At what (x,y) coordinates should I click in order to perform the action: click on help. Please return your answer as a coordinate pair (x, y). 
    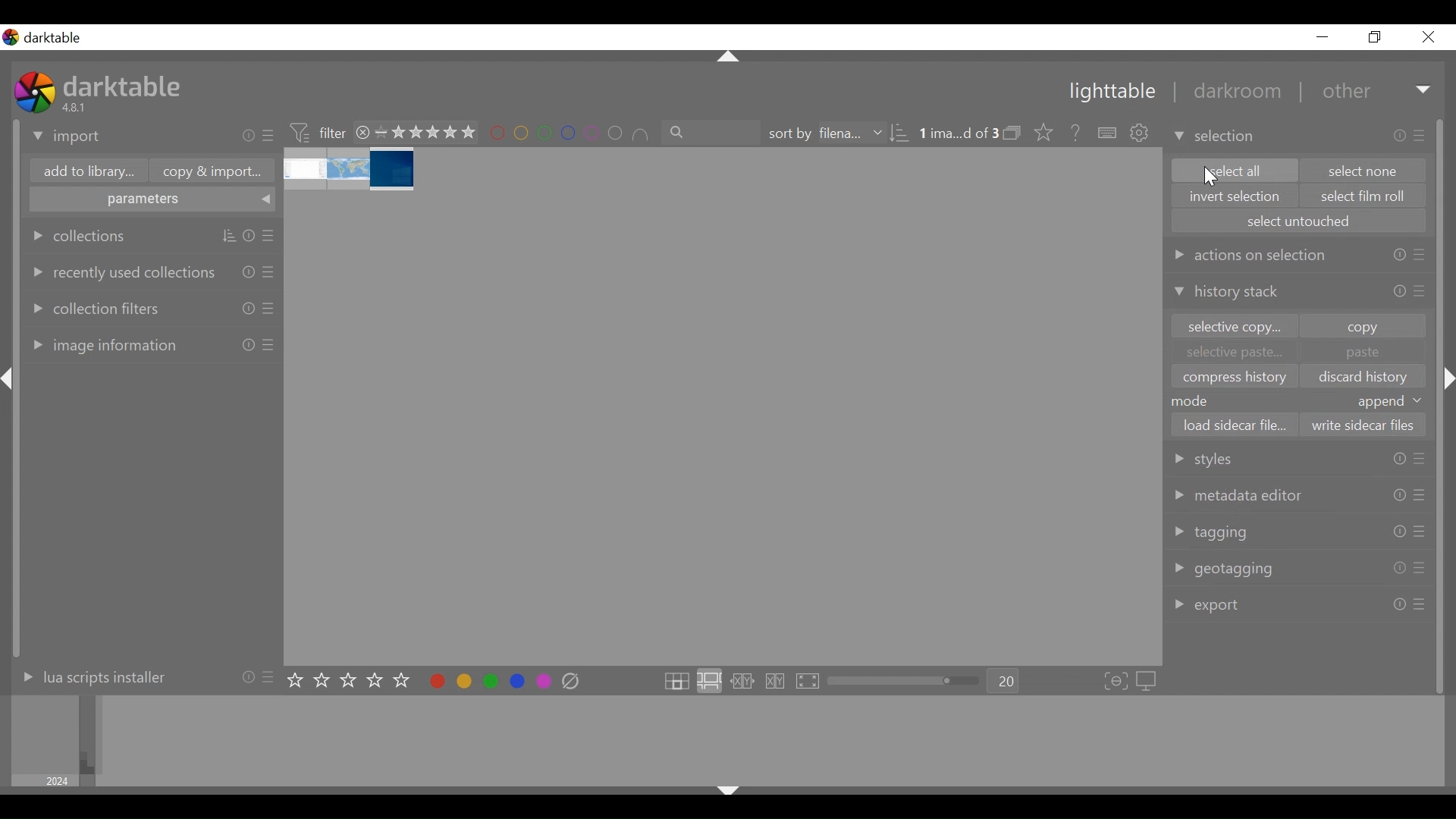
    Looking at the image, I should click on (1071, 133).